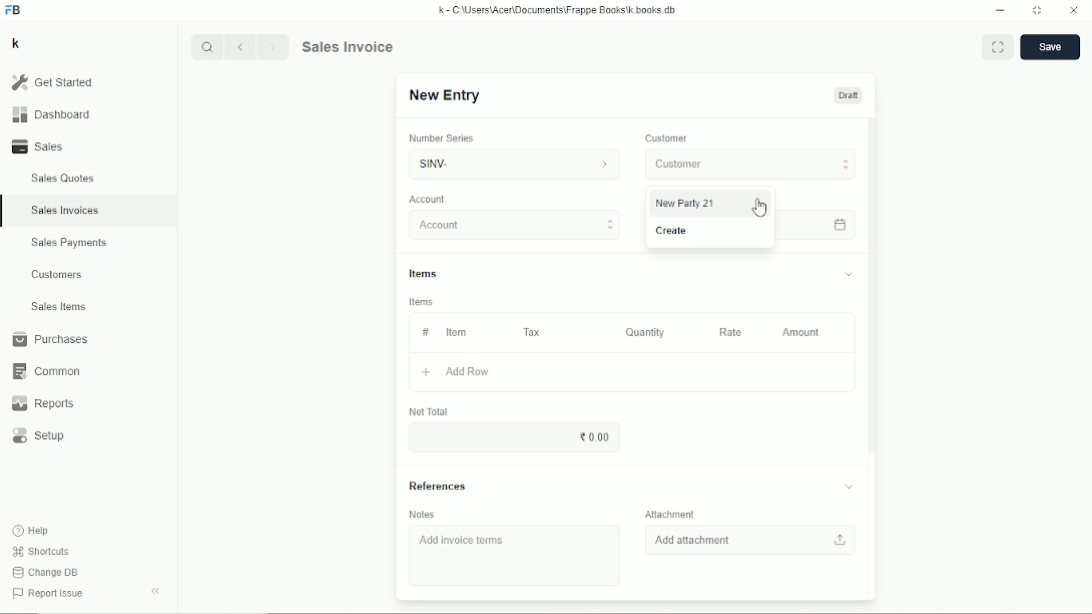 This screenshot has width=1092, height=614. I want to click on New entry, so click(445, 96).